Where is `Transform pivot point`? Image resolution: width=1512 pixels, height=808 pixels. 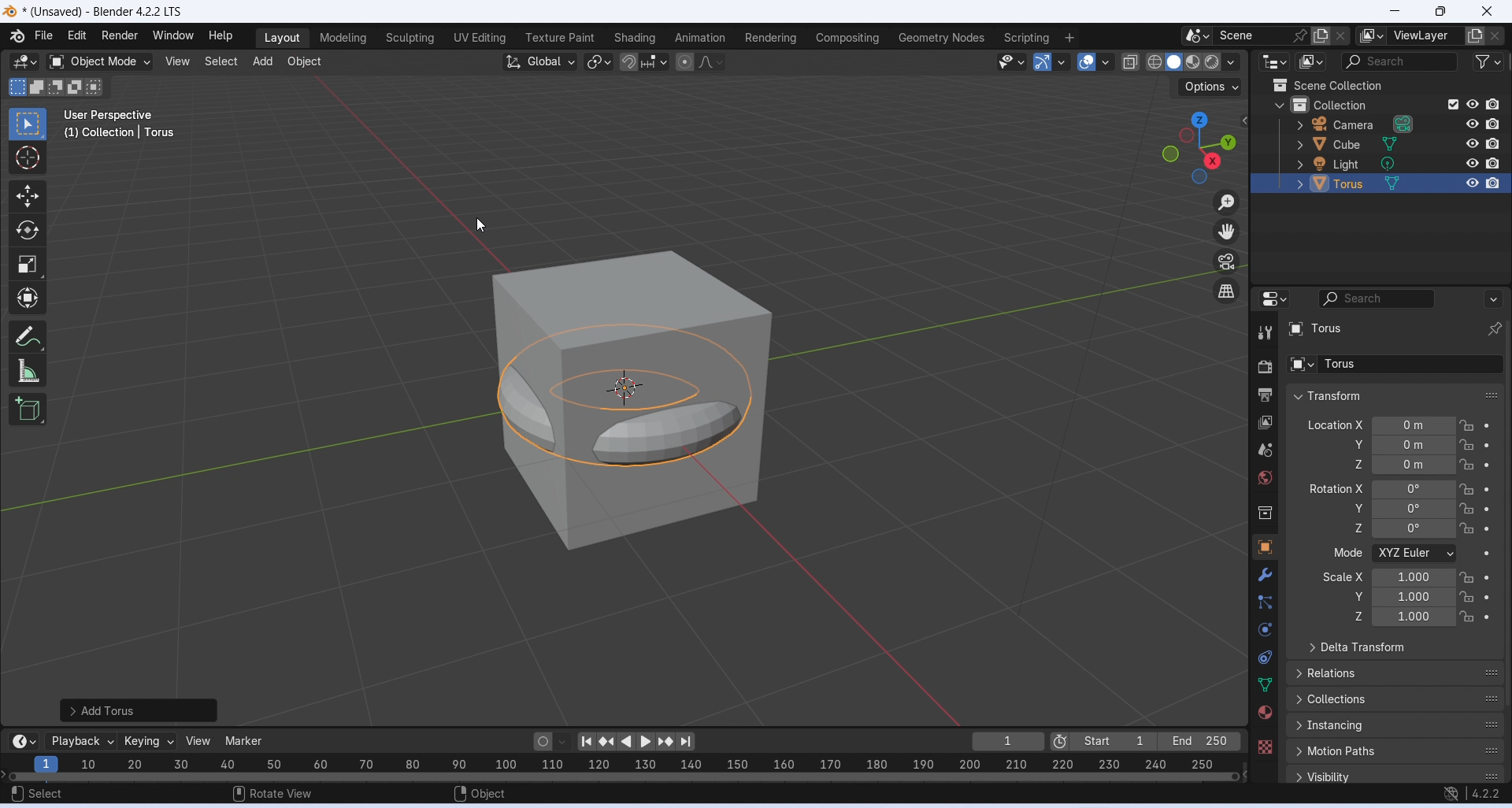 Transform pivot point is located at coordinates (598, 61).